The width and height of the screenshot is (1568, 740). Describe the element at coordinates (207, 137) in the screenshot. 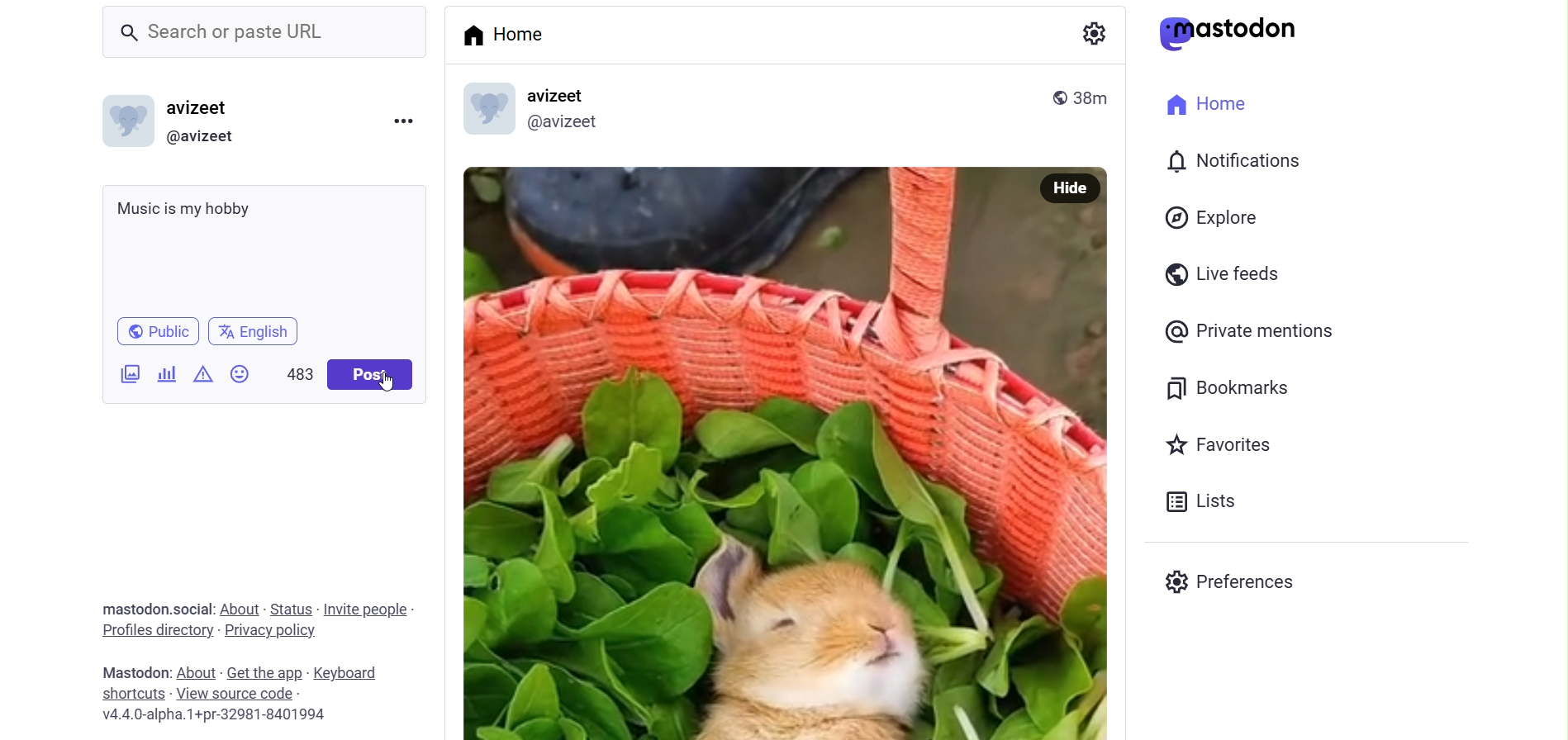

I see `@avizeet` at that location.